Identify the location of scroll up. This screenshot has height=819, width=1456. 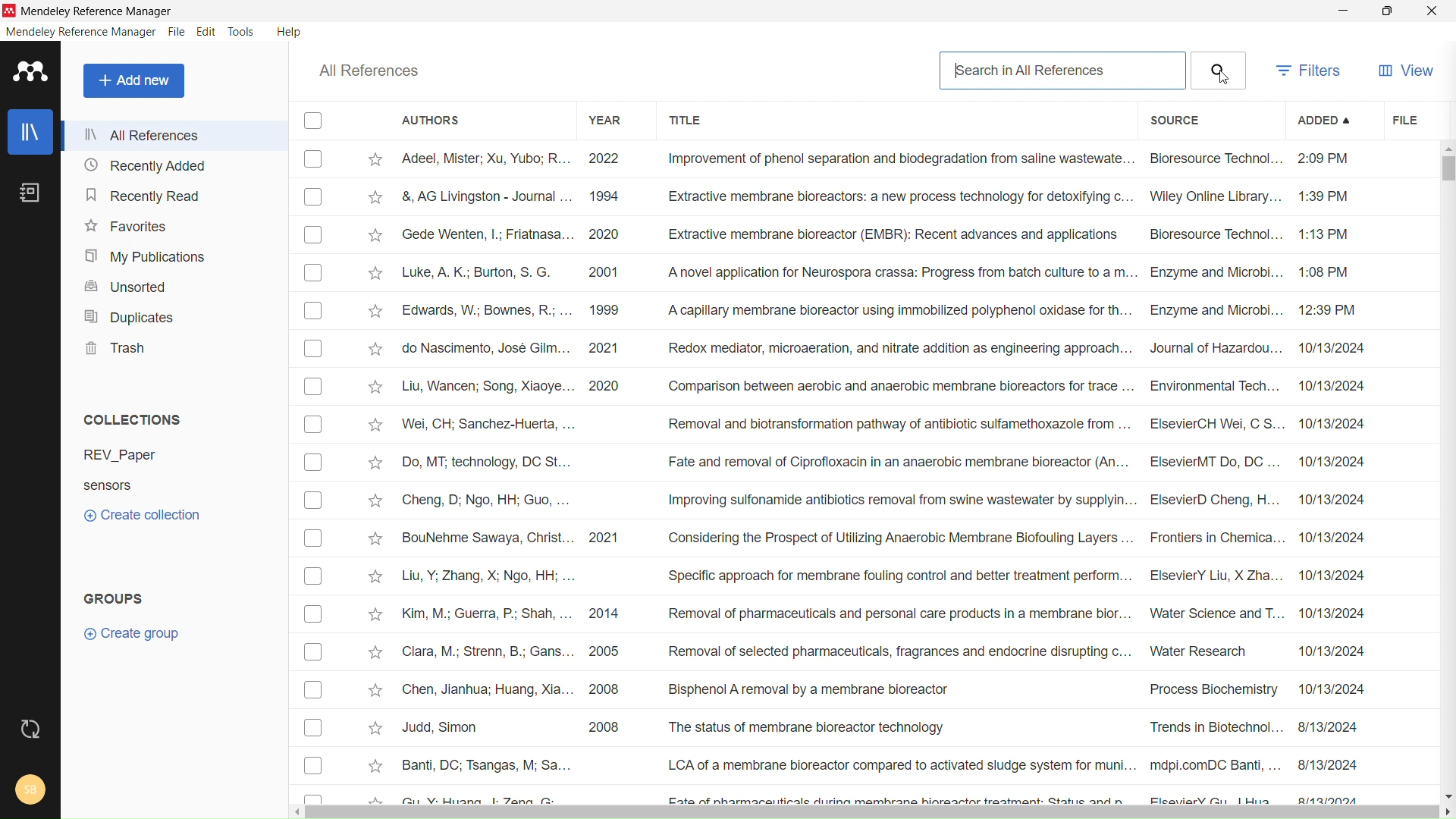
(1446, 148).